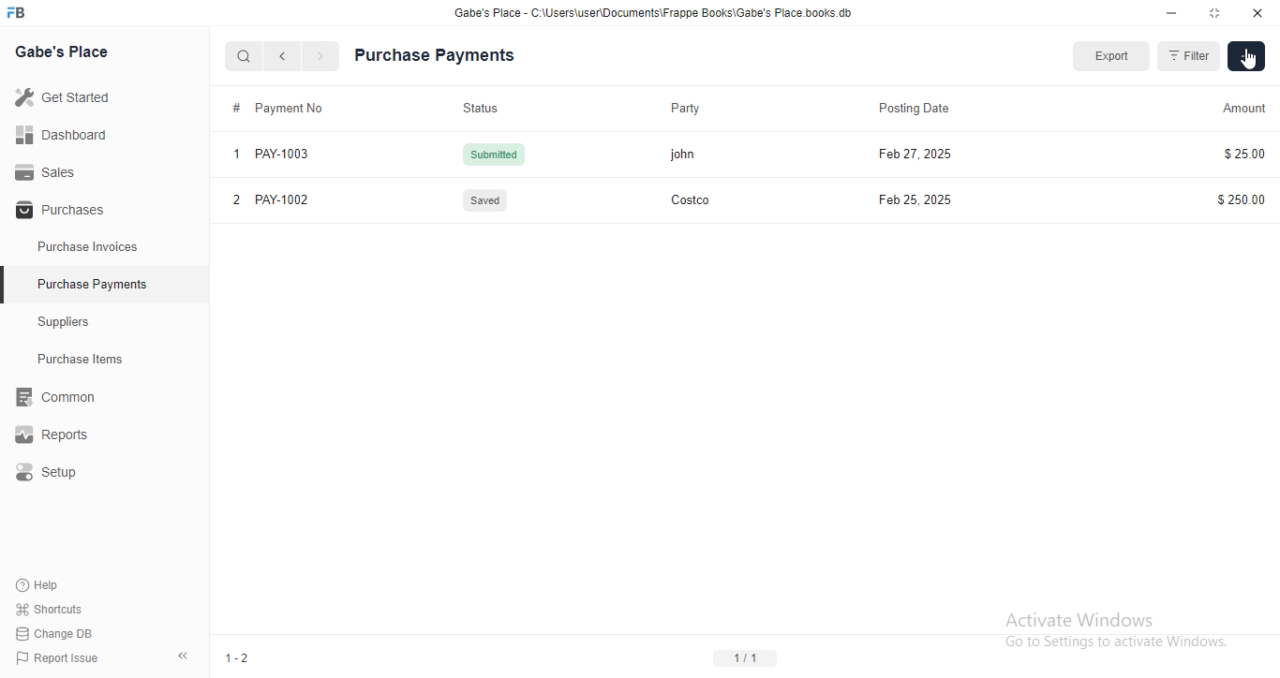  Describe the element at coordinates (477, 108) in the screenshot. I see `Status` at that location.